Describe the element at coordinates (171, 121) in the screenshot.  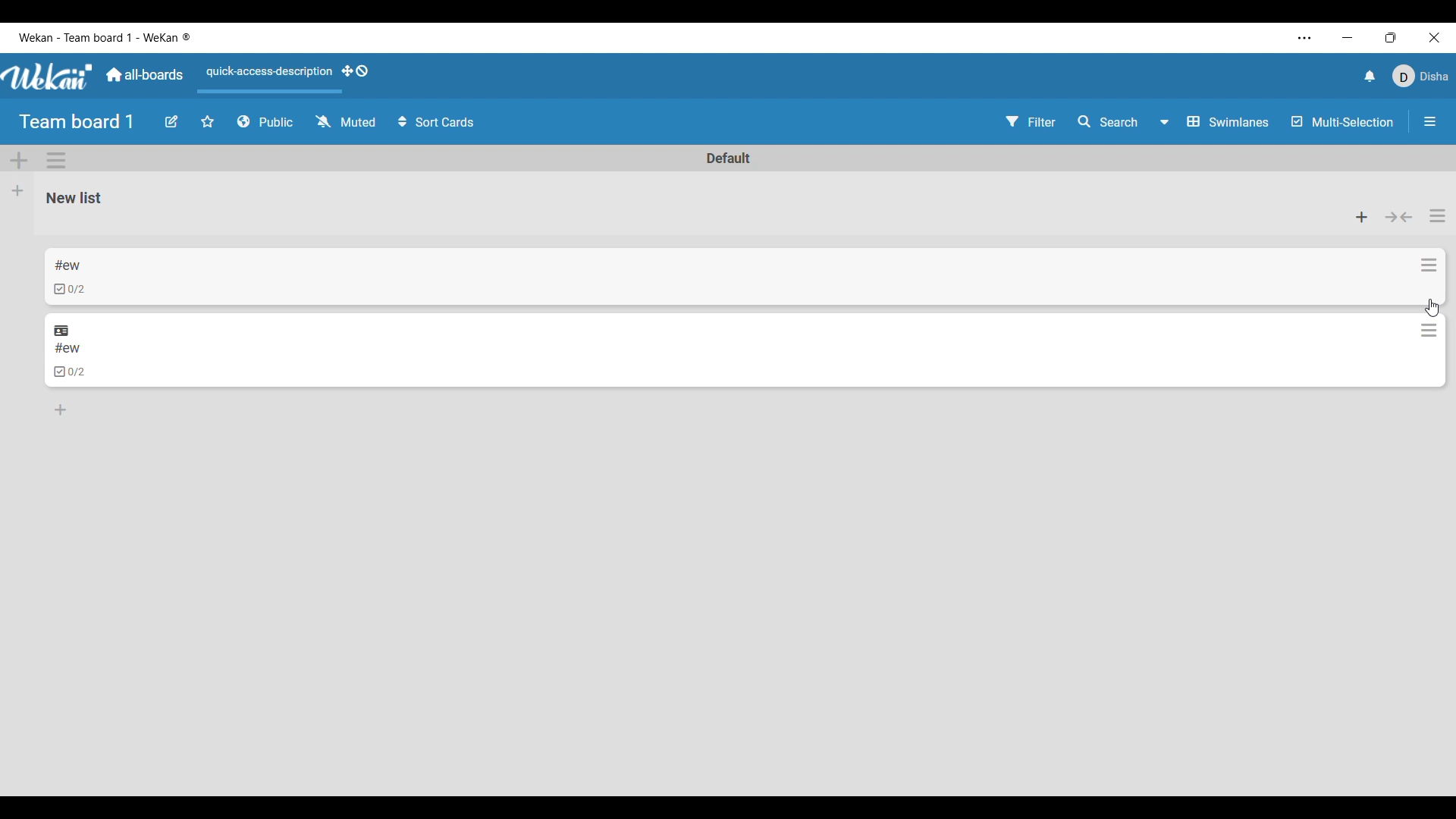
I see `Edit board` at that location.